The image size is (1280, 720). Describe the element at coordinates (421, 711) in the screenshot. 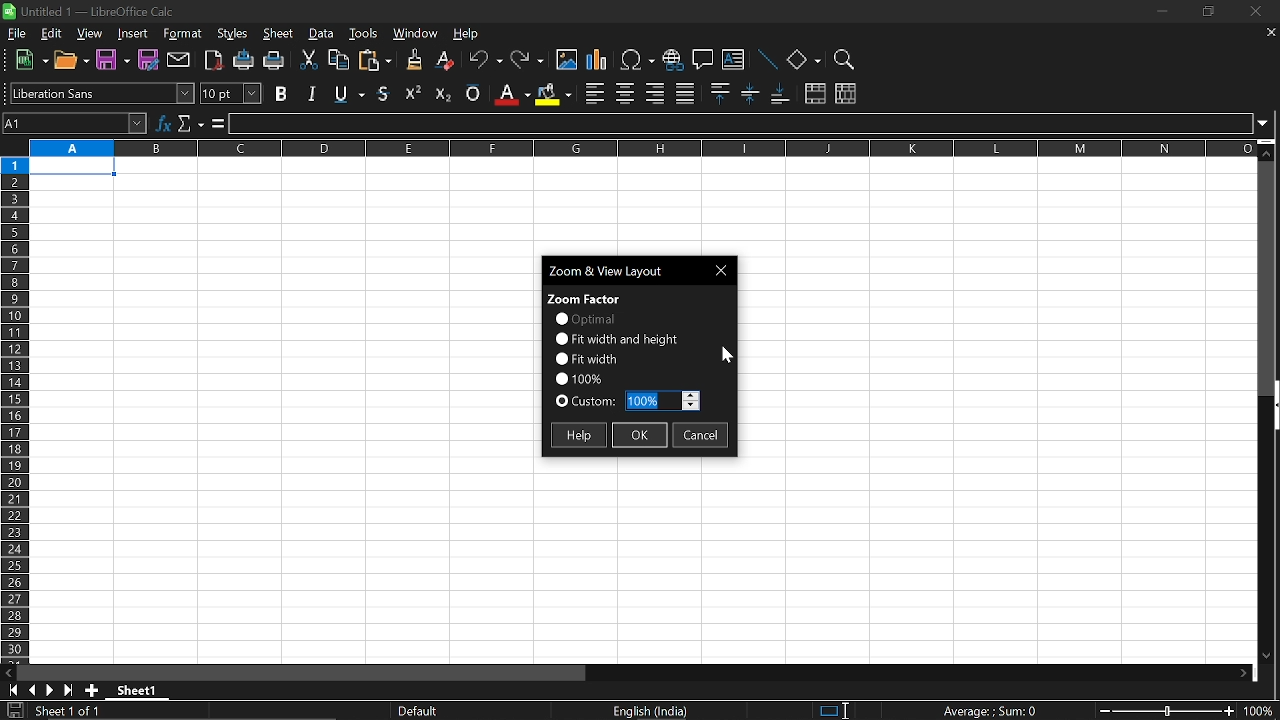

I see `sheet style` at that location.